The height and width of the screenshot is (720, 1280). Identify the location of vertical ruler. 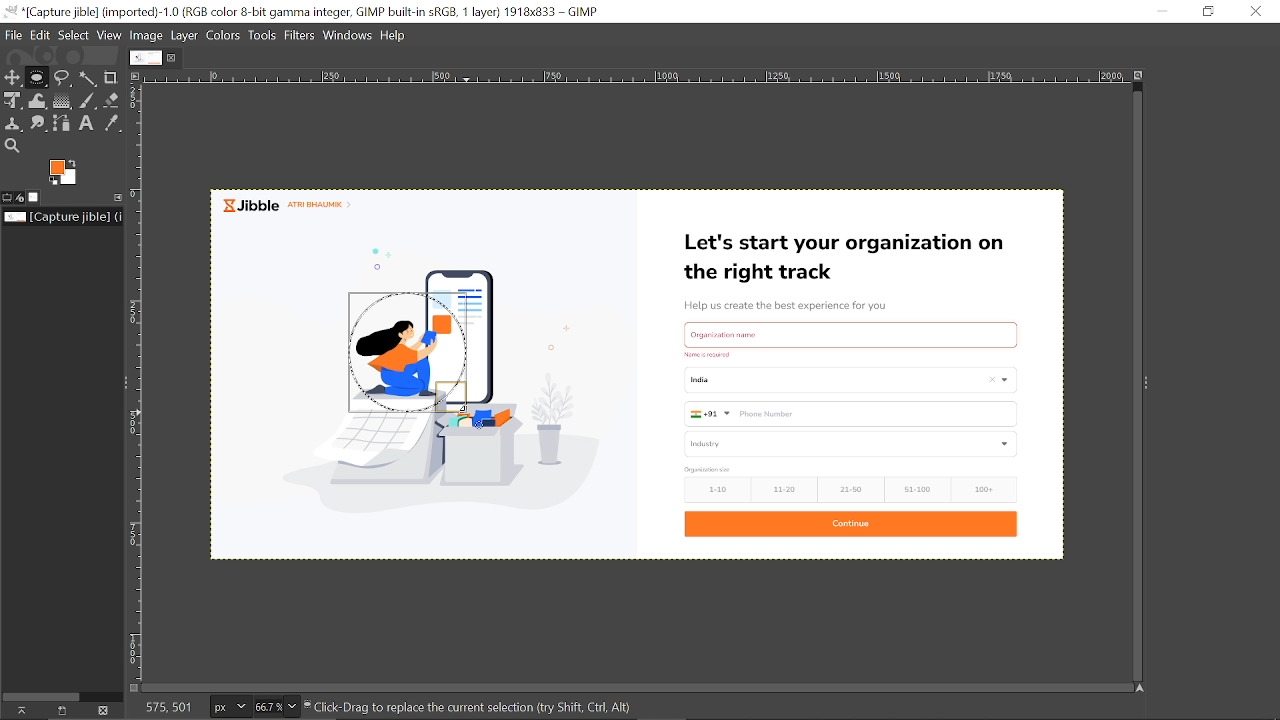
(142, 383).